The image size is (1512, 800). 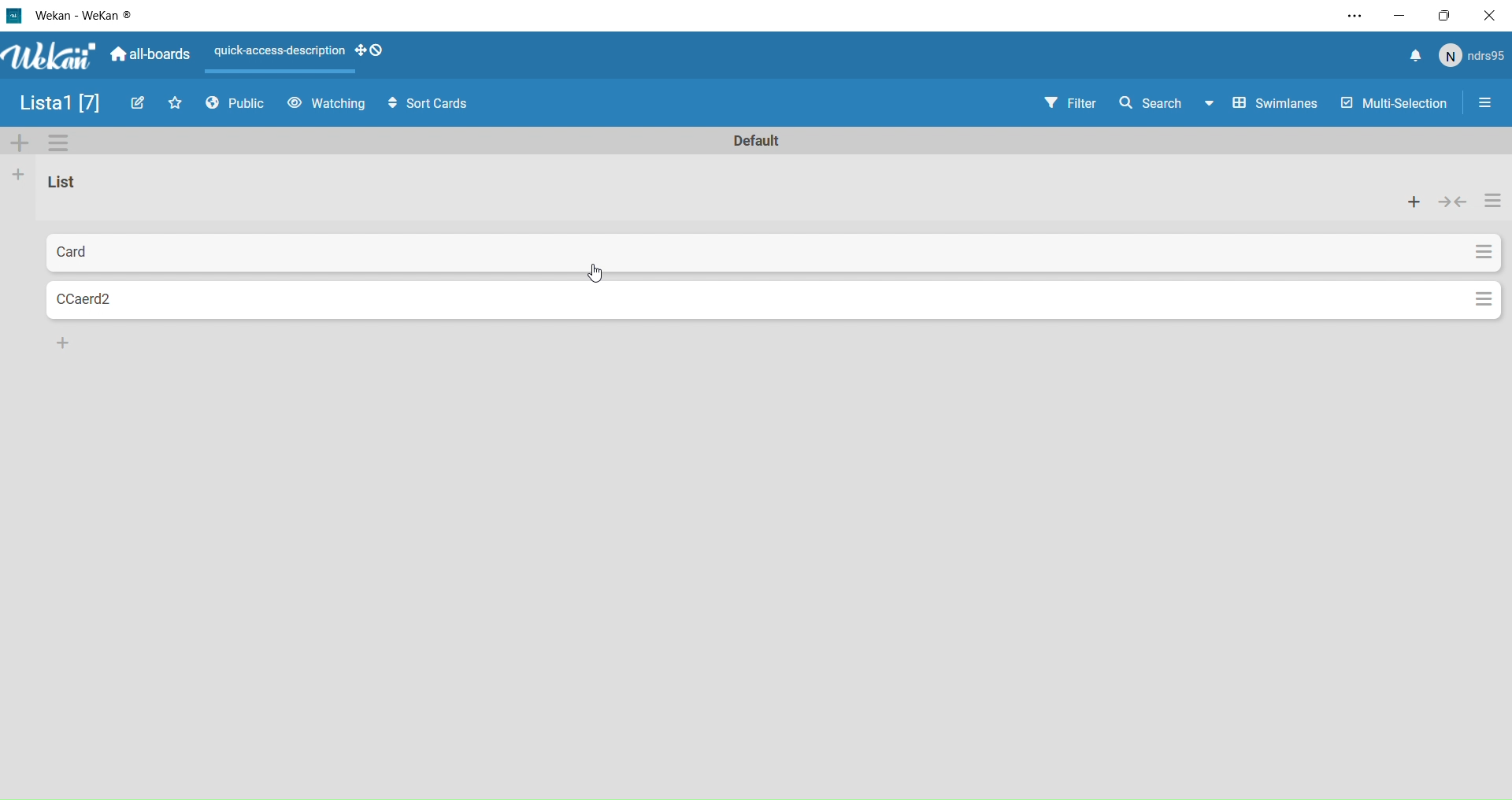 I want to click on Layout Actions, so click(x=324, y=57).